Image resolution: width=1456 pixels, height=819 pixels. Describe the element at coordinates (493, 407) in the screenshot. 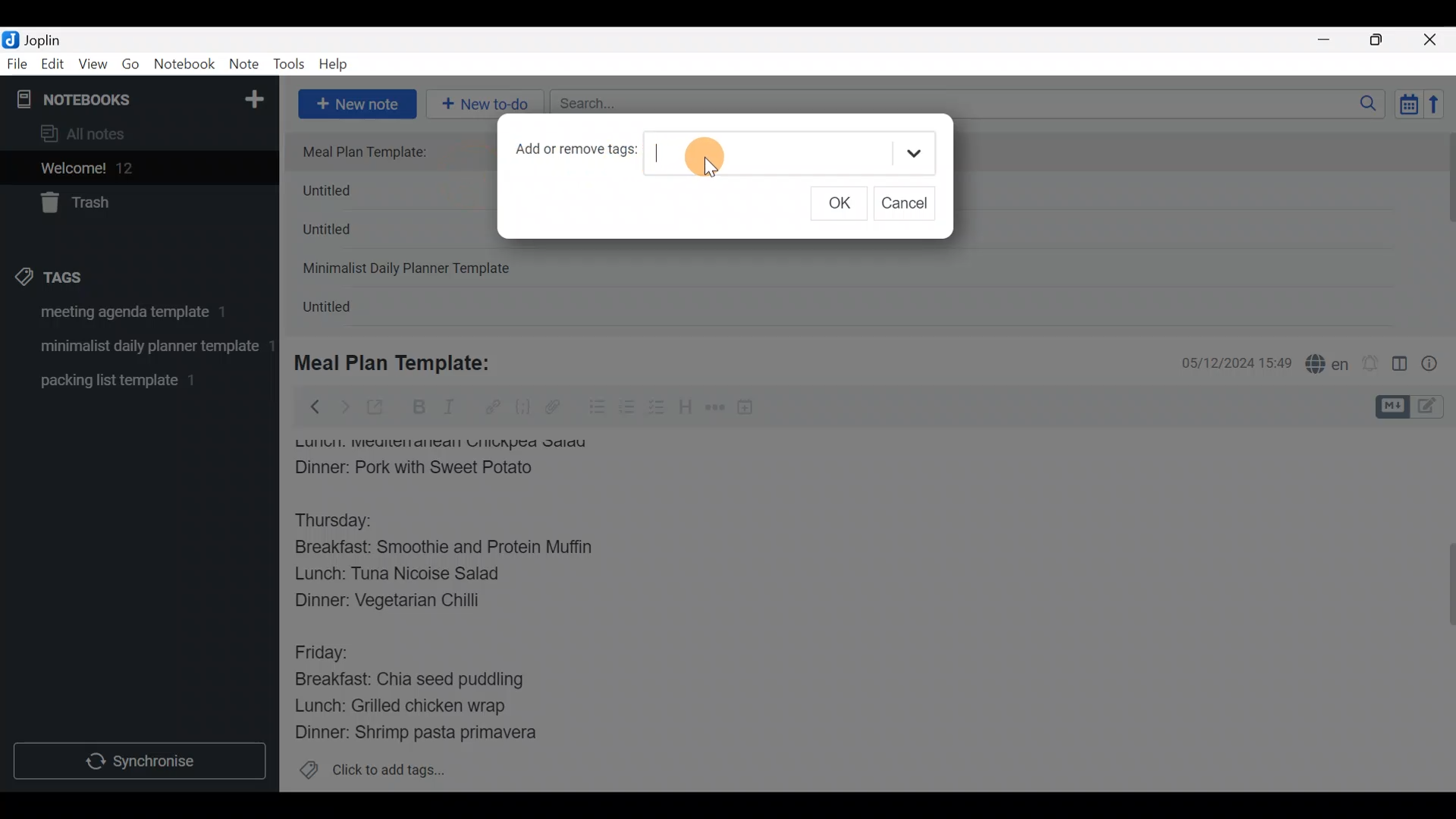

I see `Hyperlink` at that location.